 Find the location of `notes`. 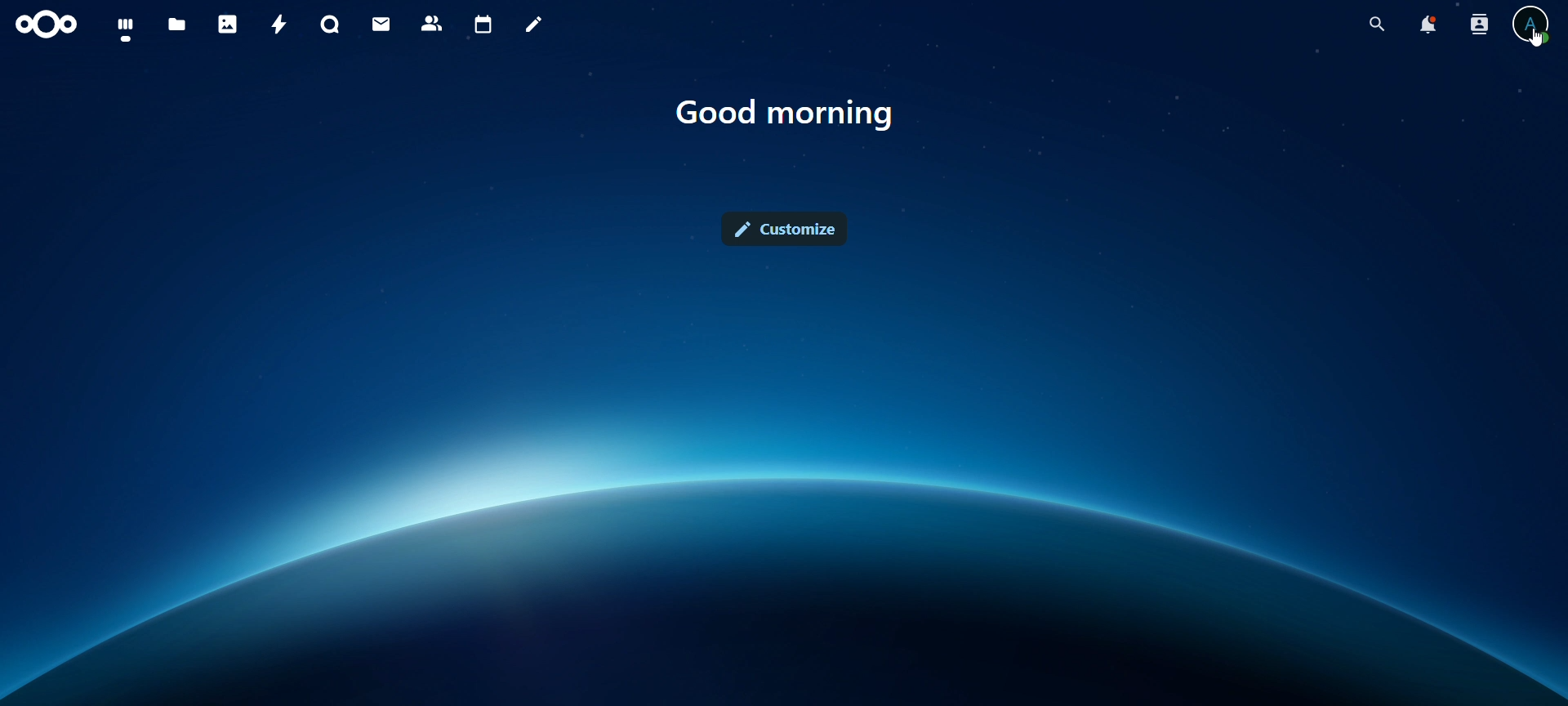

notes is located at coordinates (537, 25).